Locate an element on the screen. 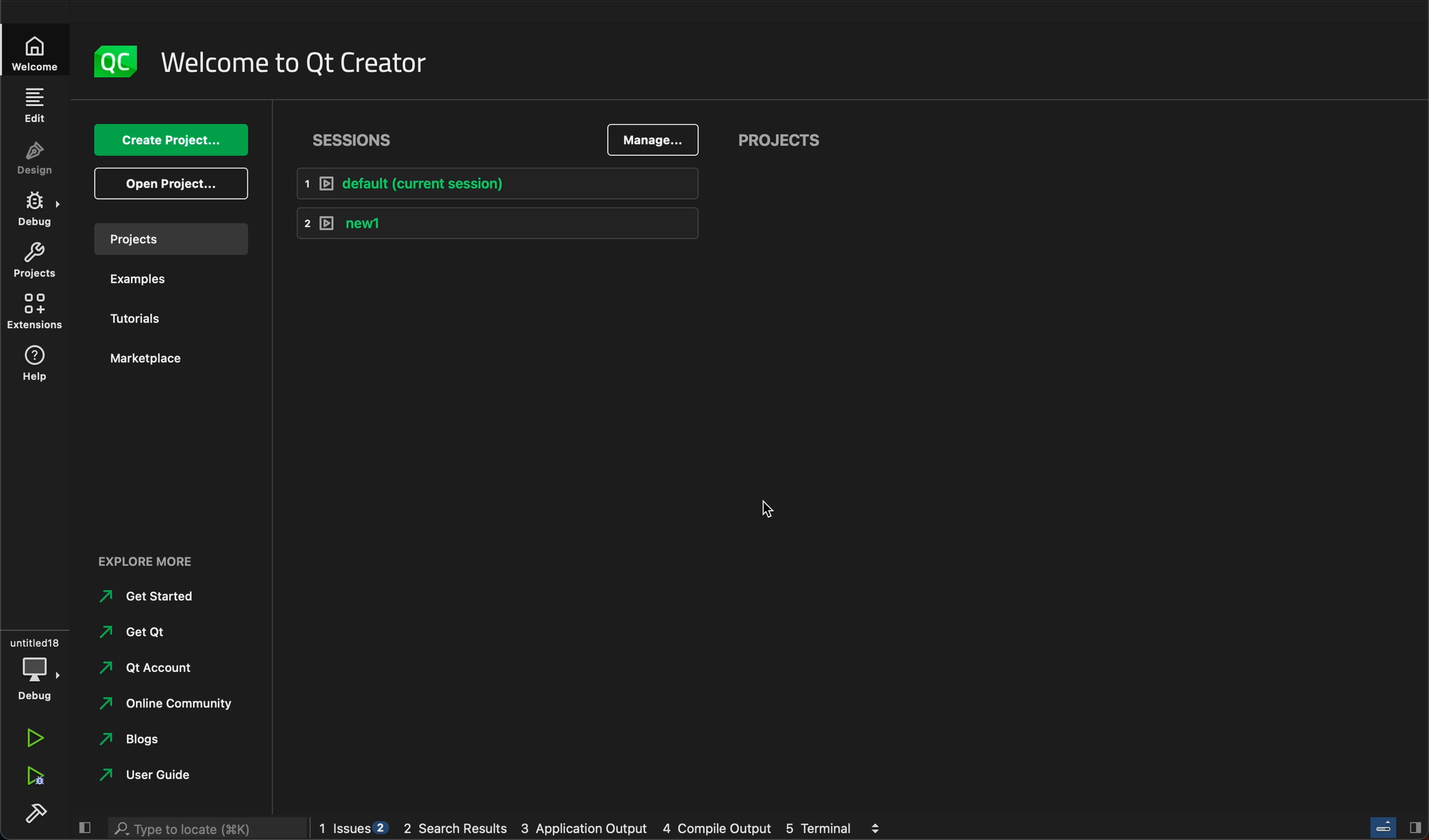  sessions is located at coordinates (358, 140).